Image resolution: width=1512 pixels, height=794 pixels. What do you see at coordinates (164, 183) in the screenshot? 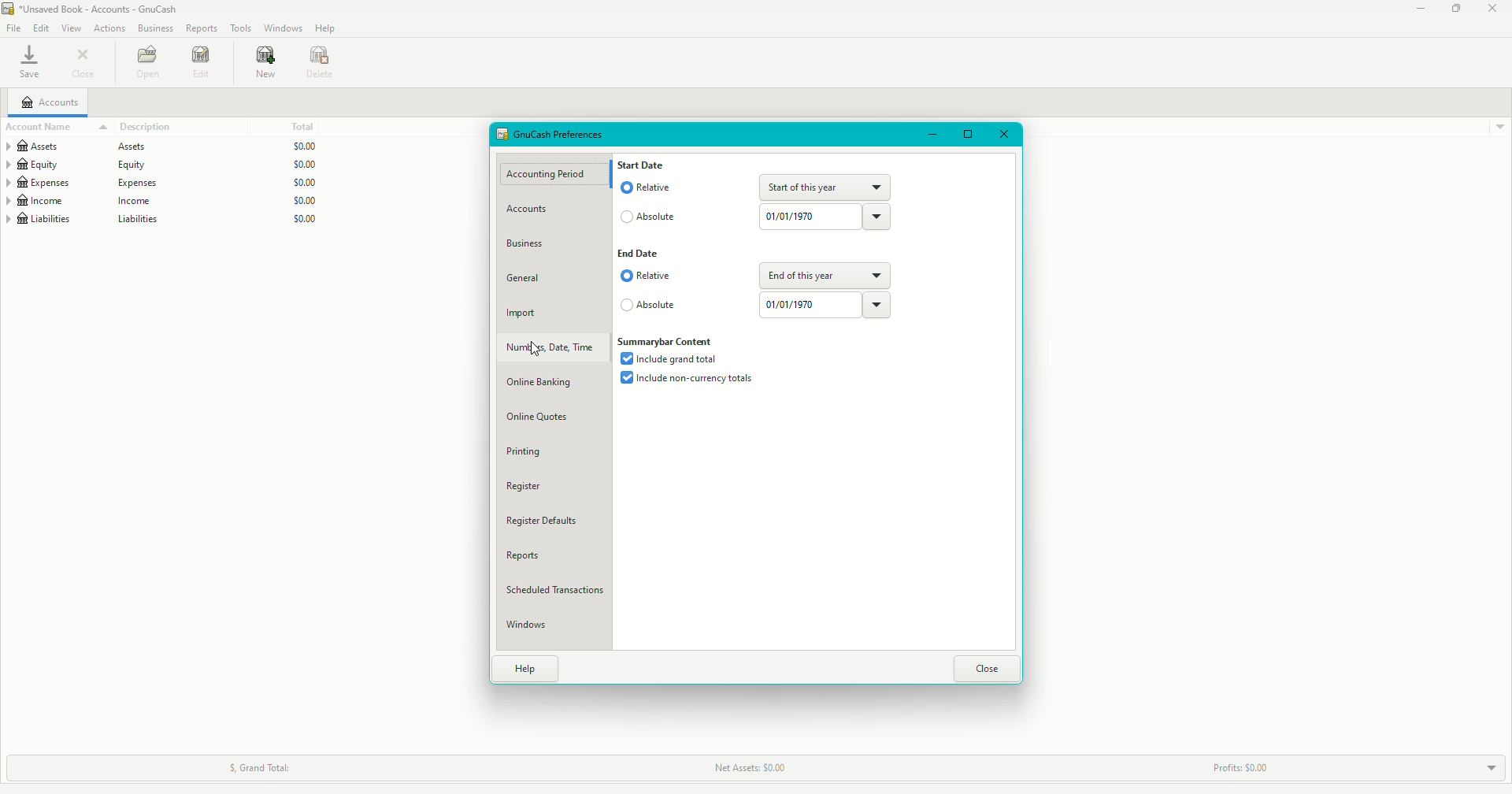
I see `Expenses` at bounding box center [164, 183].